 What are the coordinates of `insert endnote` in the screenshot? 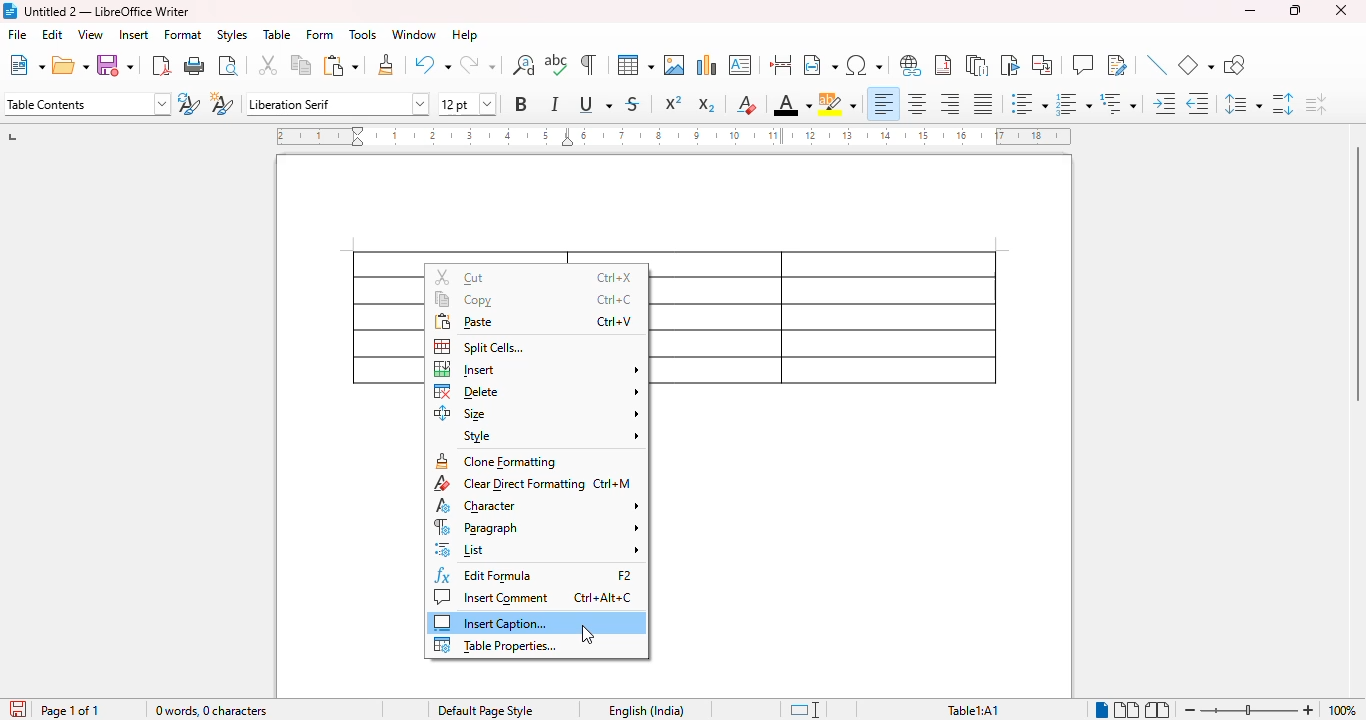 It's located at (977, 65).